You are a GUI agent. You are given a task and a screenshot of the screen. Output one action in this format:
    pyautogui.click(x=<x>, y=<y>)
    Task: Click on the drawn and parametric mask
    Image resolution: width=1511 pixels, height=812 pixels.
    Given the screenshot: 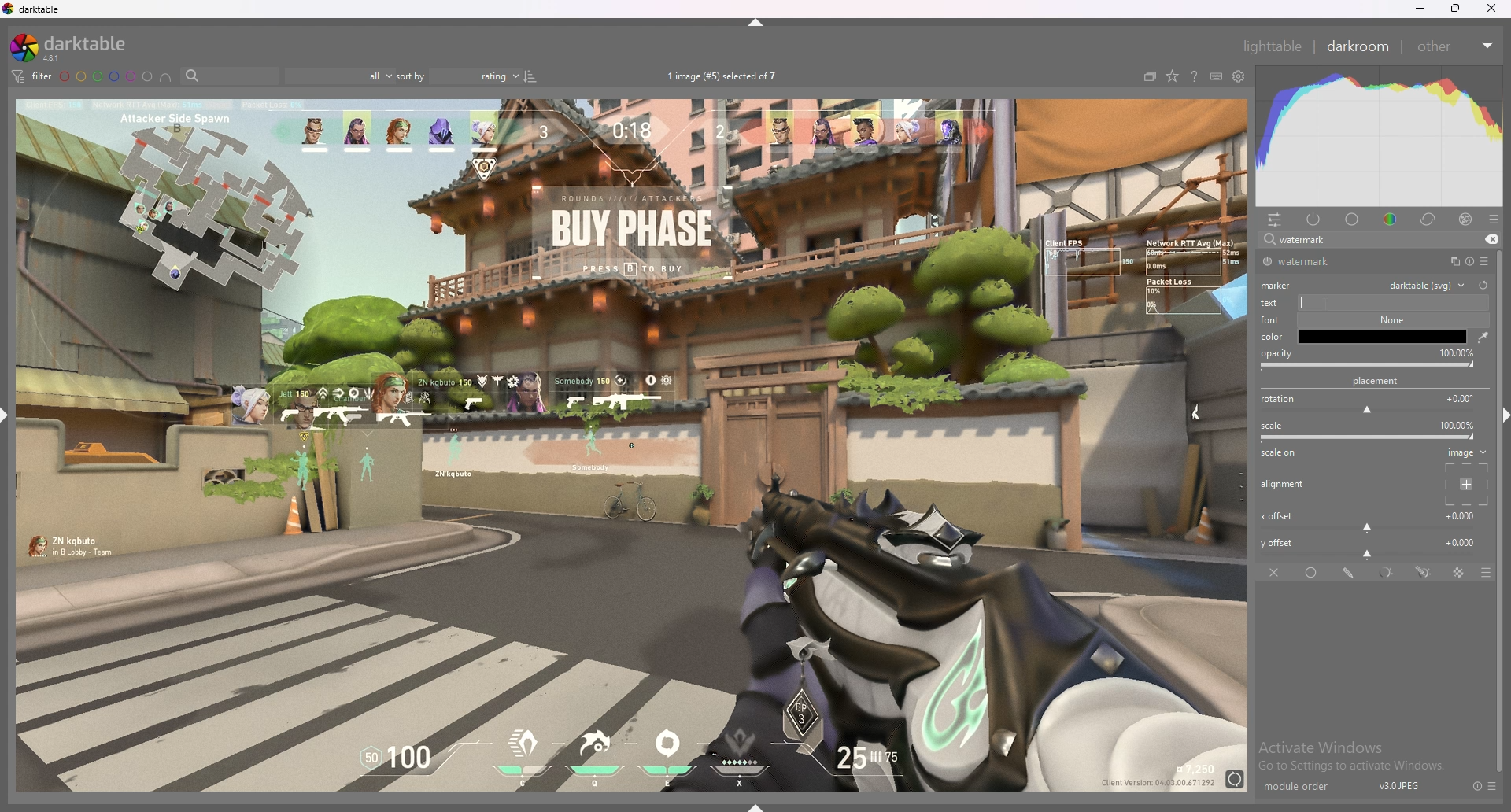 What is the action you would take?
    pyautogui.click(x=1424, y=571)
    